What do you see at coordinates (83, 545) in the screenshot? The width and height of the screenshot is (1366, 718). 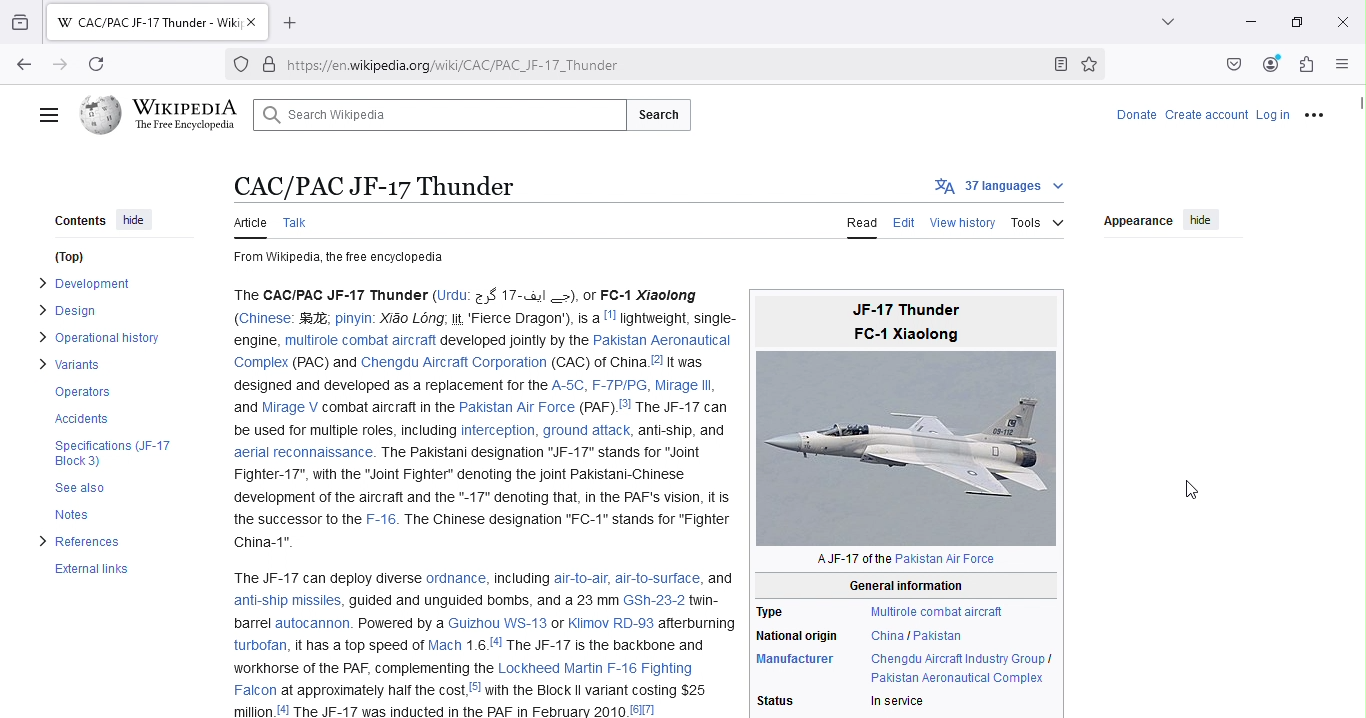 I see `> References` at bounding box center [83, 545].